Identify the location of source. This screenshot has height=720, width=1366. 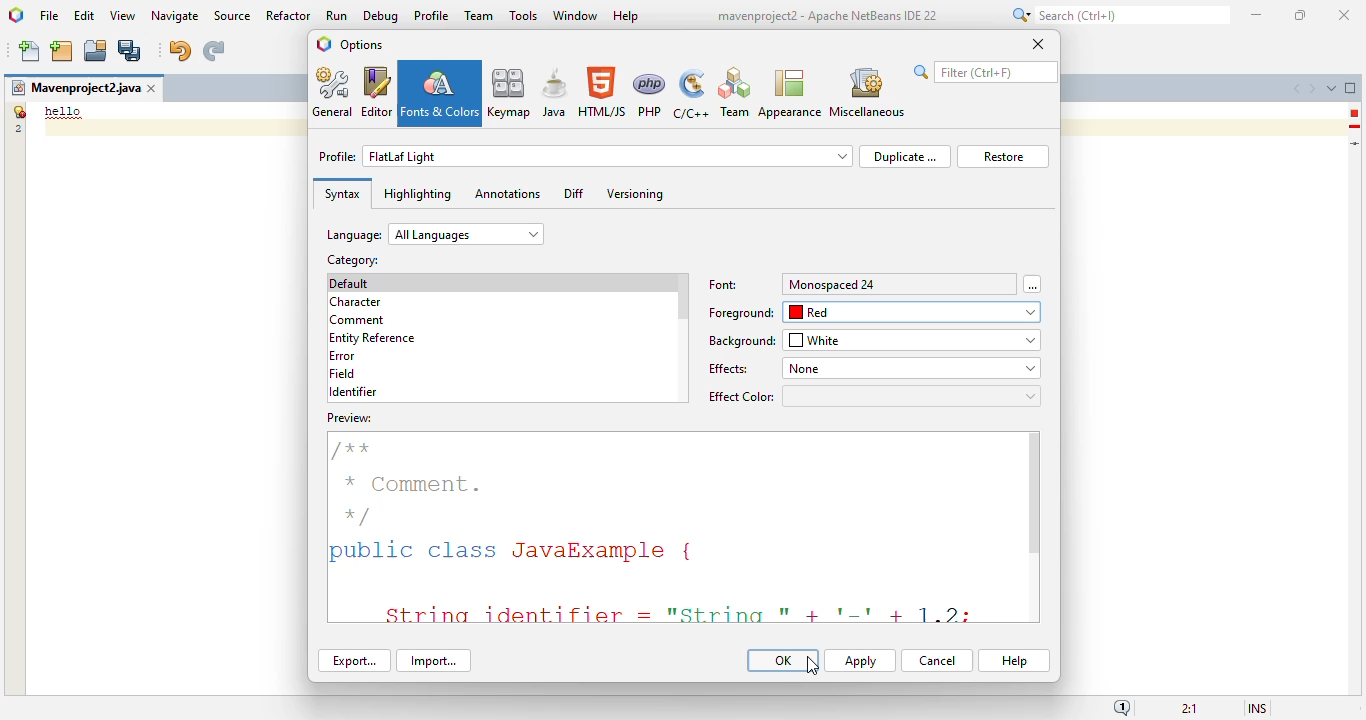
(232, 16).